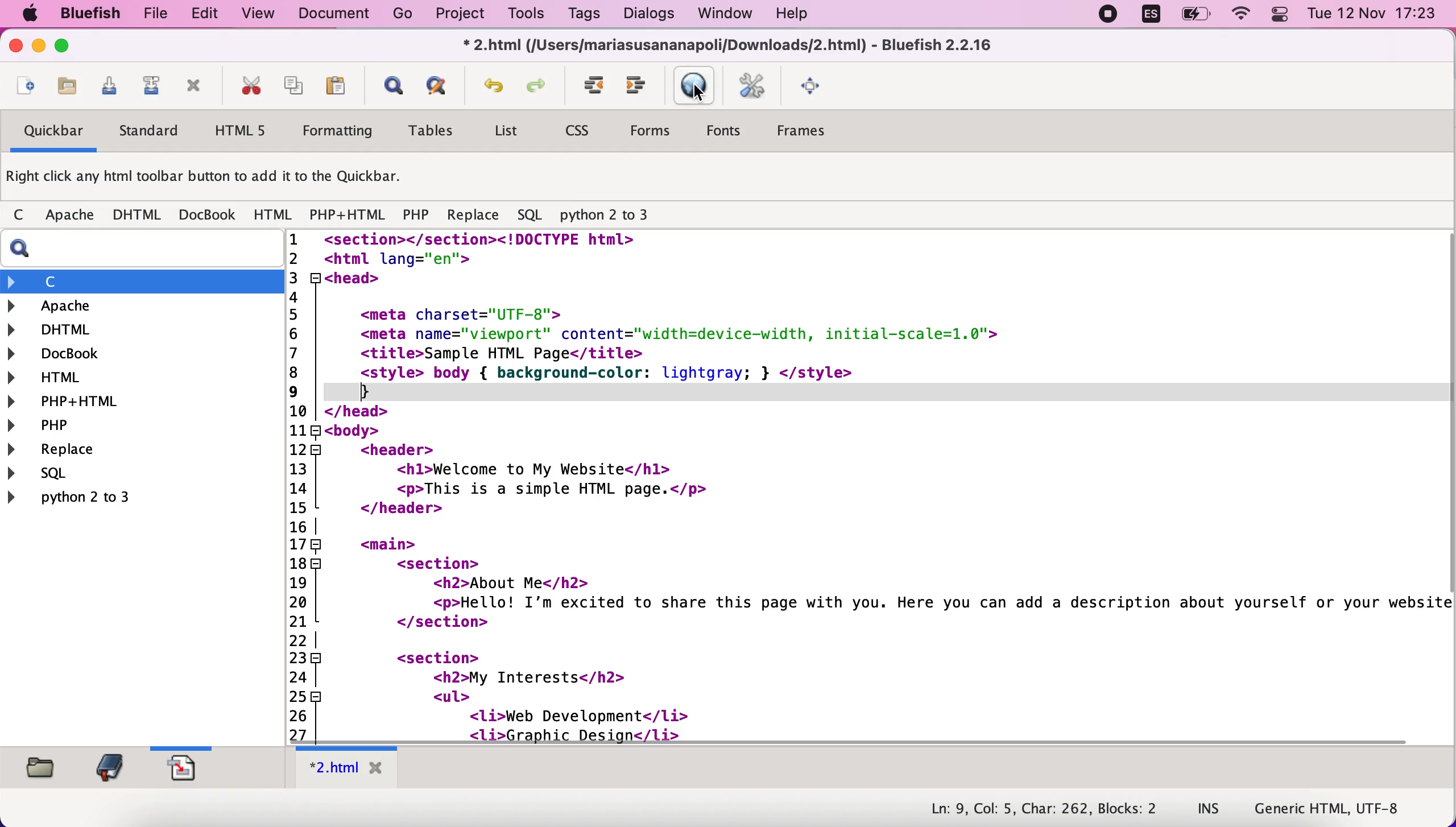 This screenshot has height=827, width=1456. I want to click on Preview in browser, so click(696, 82).